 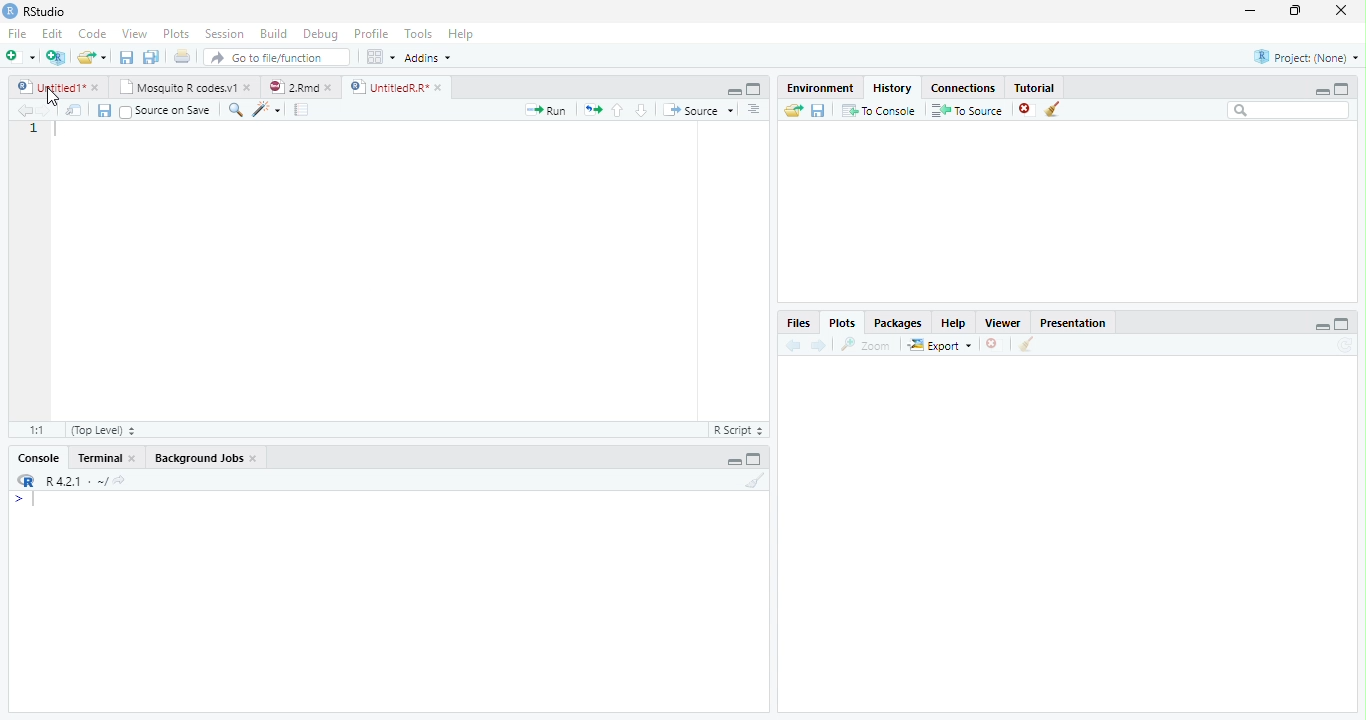 What do you see at coordinates (1249, 12) in the screenshot?
I see `minimize` at bounding box center [1249, 12].